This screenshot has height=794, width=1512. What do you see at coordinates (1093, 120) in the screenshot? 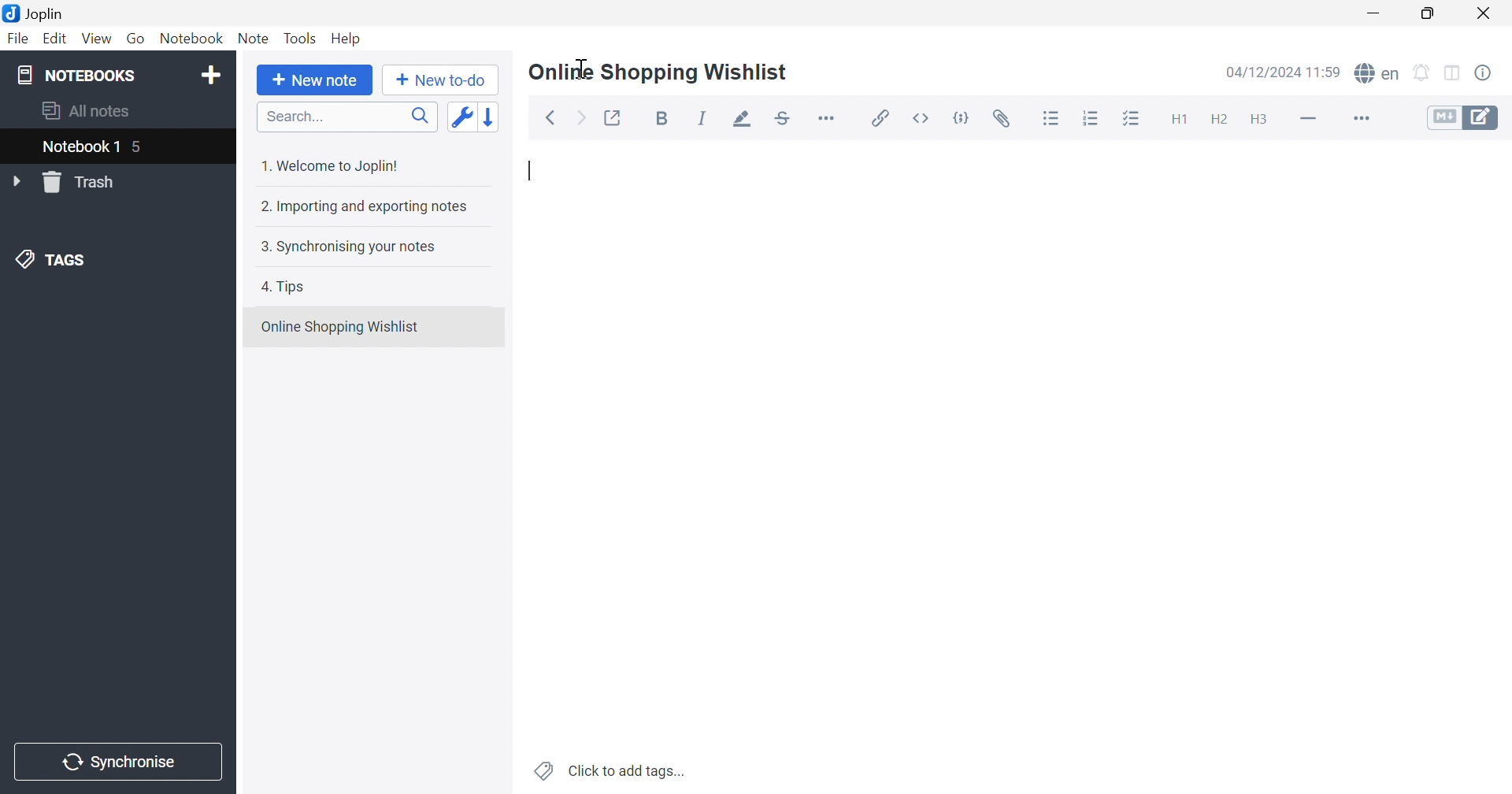
I see `Numbered list` at bounding box center [1093, 120].